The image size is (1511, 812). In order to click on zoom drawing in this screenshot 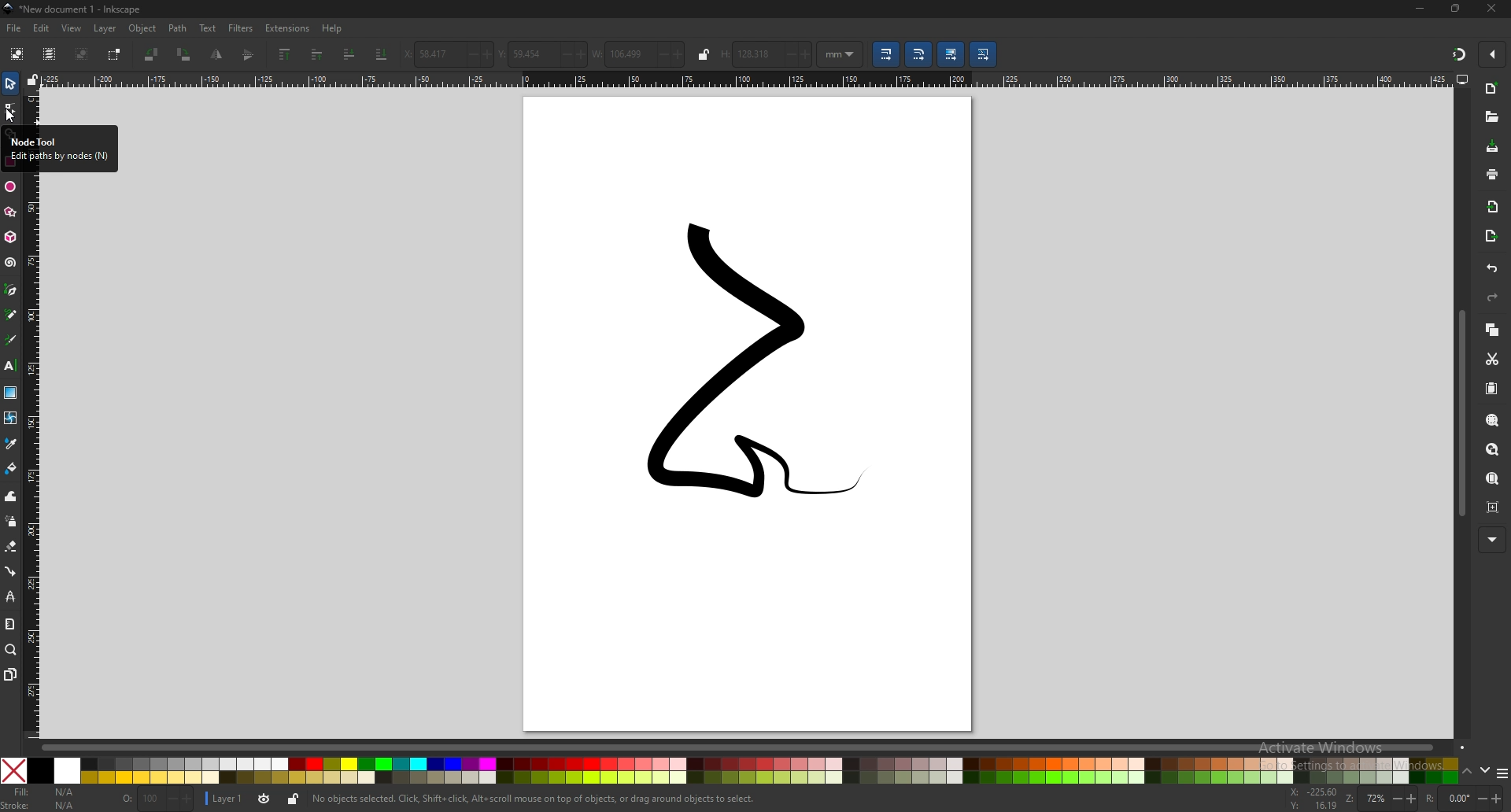, I will do `click(1493, 449)`.